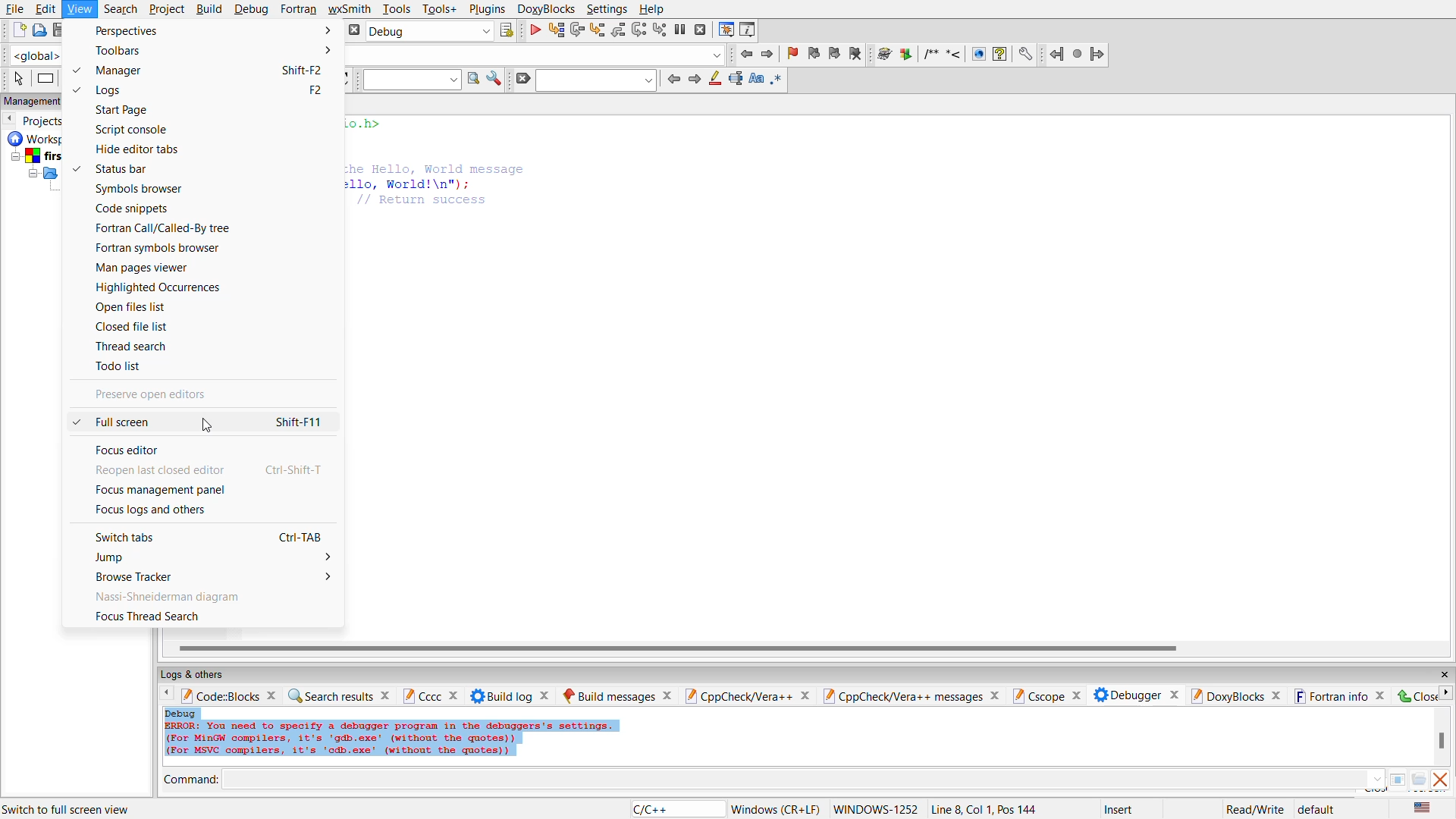 This screenshot has height=819, width=1456. Describe the element at coordinates (858, 54) in the screenshot. I see `clear bookmarks` at that location.